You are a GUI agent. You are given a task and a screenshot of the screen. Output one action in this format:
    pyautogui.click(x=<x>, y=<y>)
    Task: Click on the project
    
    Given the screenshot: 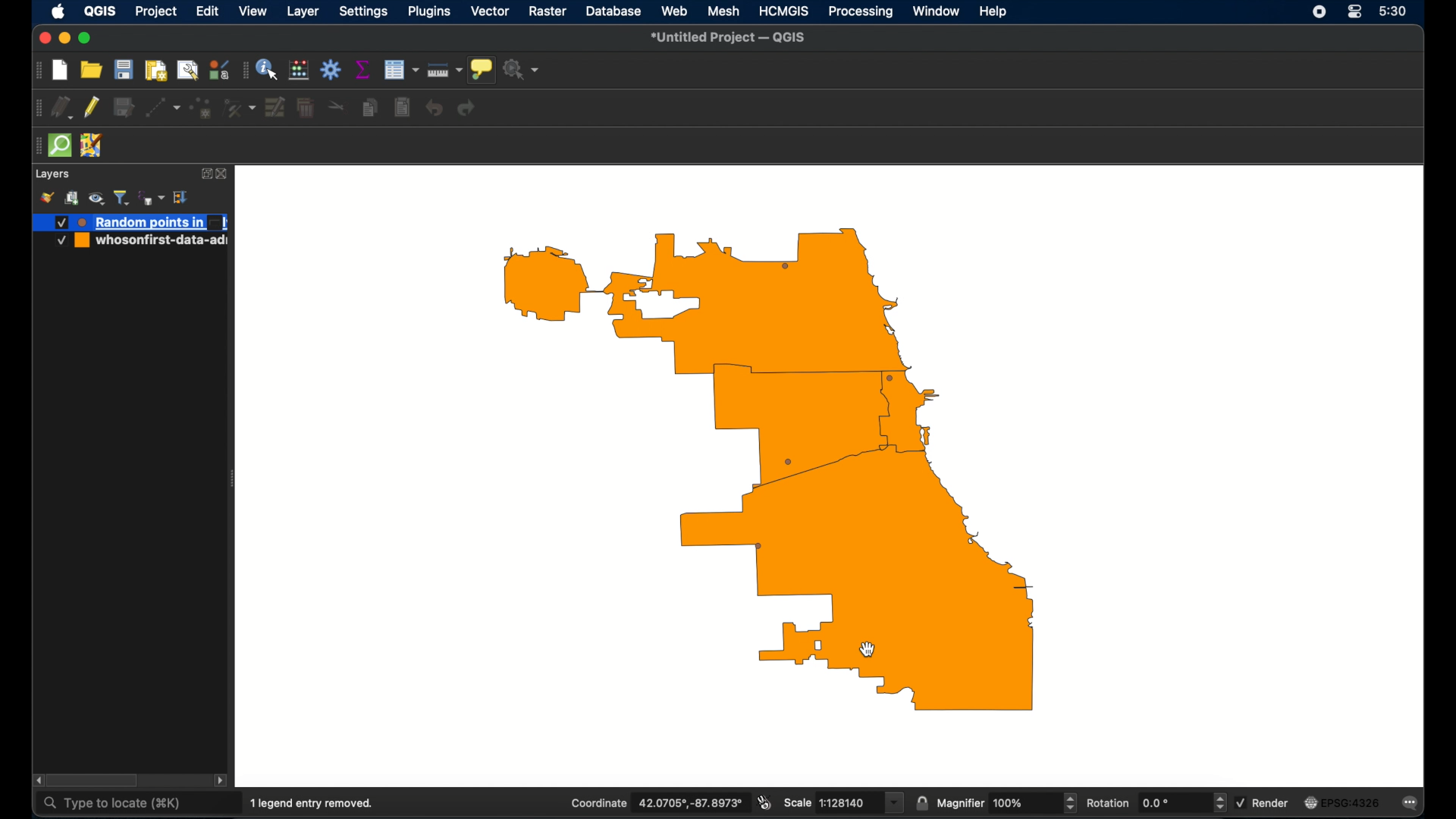 What is the action you would take?
    pyautogui.click(x=155, y=12)
    